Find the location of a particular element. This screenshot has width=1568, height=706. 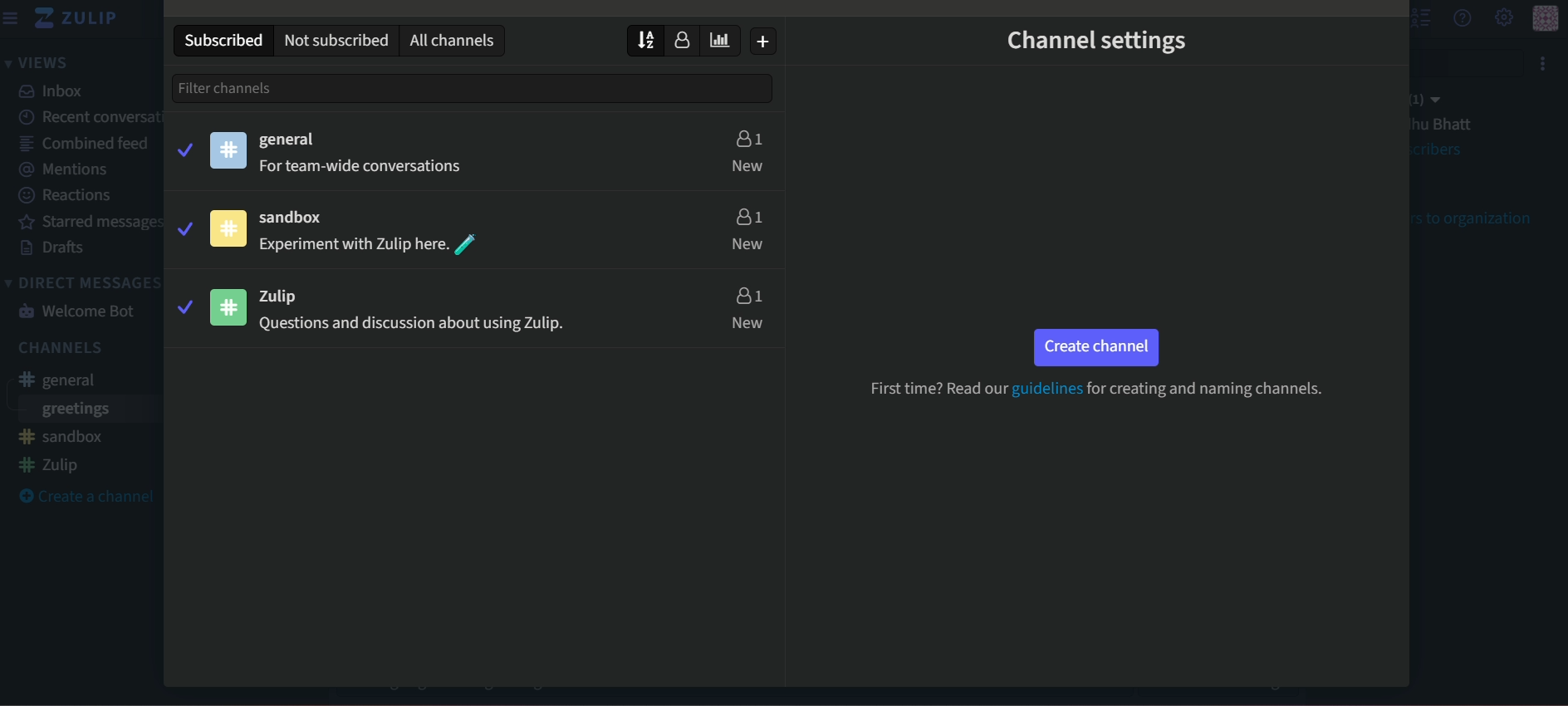

tick is located at coordinates (183, 228).